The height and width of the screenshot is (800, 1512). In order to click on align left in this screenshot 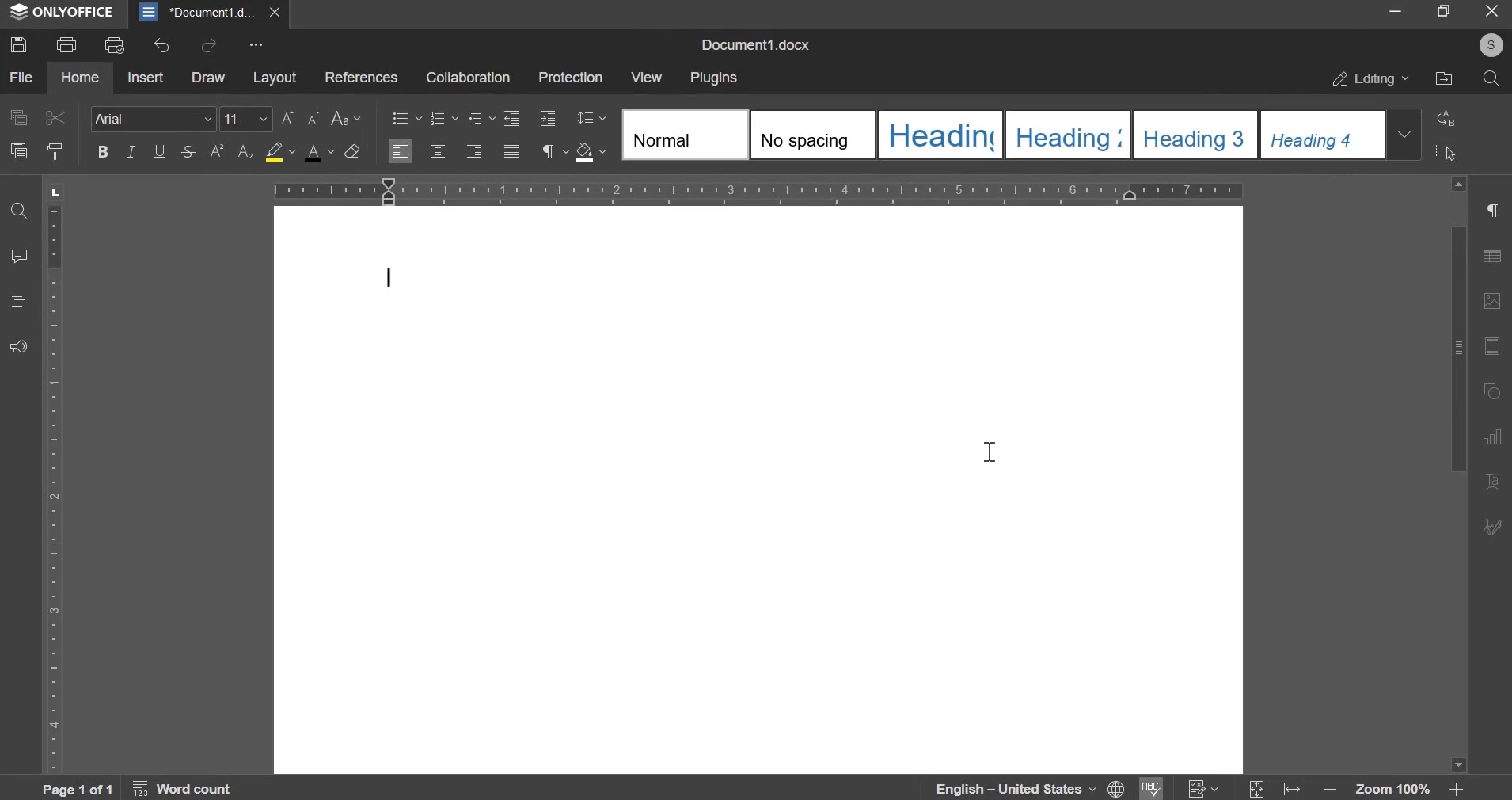, I will do `click(400, 151)`.